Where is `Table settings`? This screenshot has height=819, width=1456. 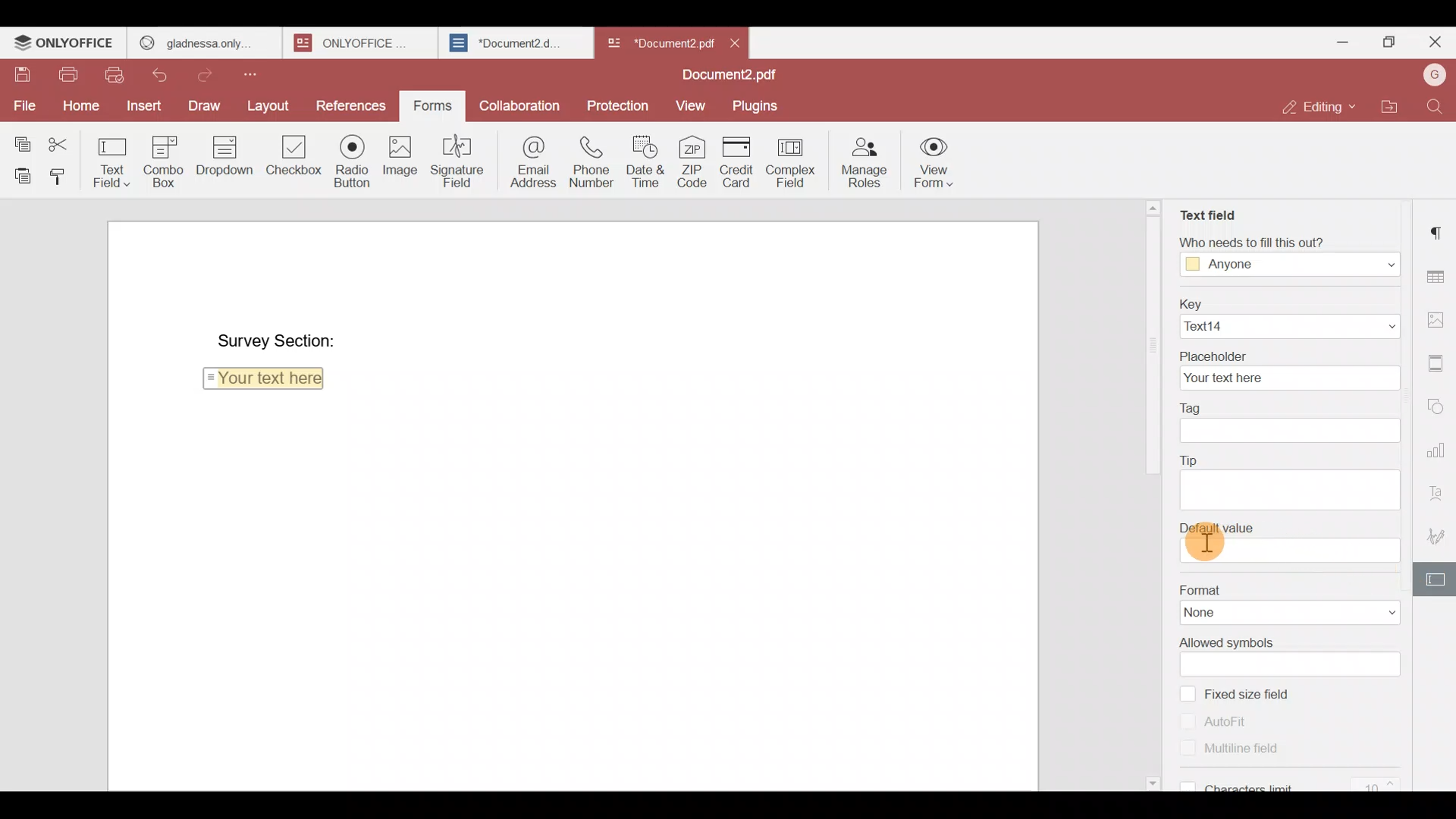 Table settings is located at coordinates (1439, 275).